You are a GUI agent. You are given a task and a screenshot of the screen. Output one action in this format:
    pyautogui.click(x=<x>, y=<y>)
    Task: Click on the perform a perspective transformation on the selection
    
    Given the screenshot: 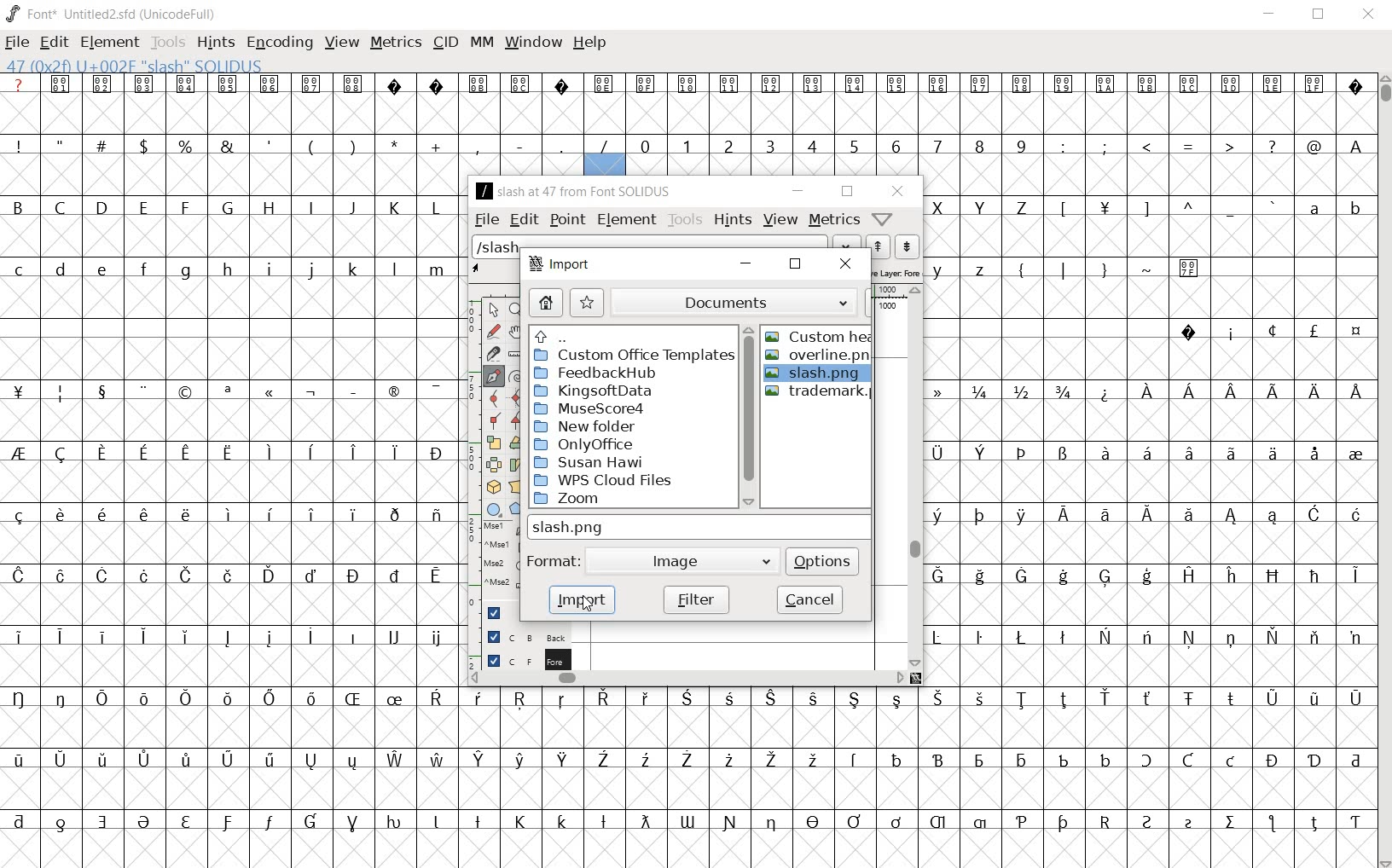 What is the action you would take?
    pyautogui.click(x=515, y=488)
    